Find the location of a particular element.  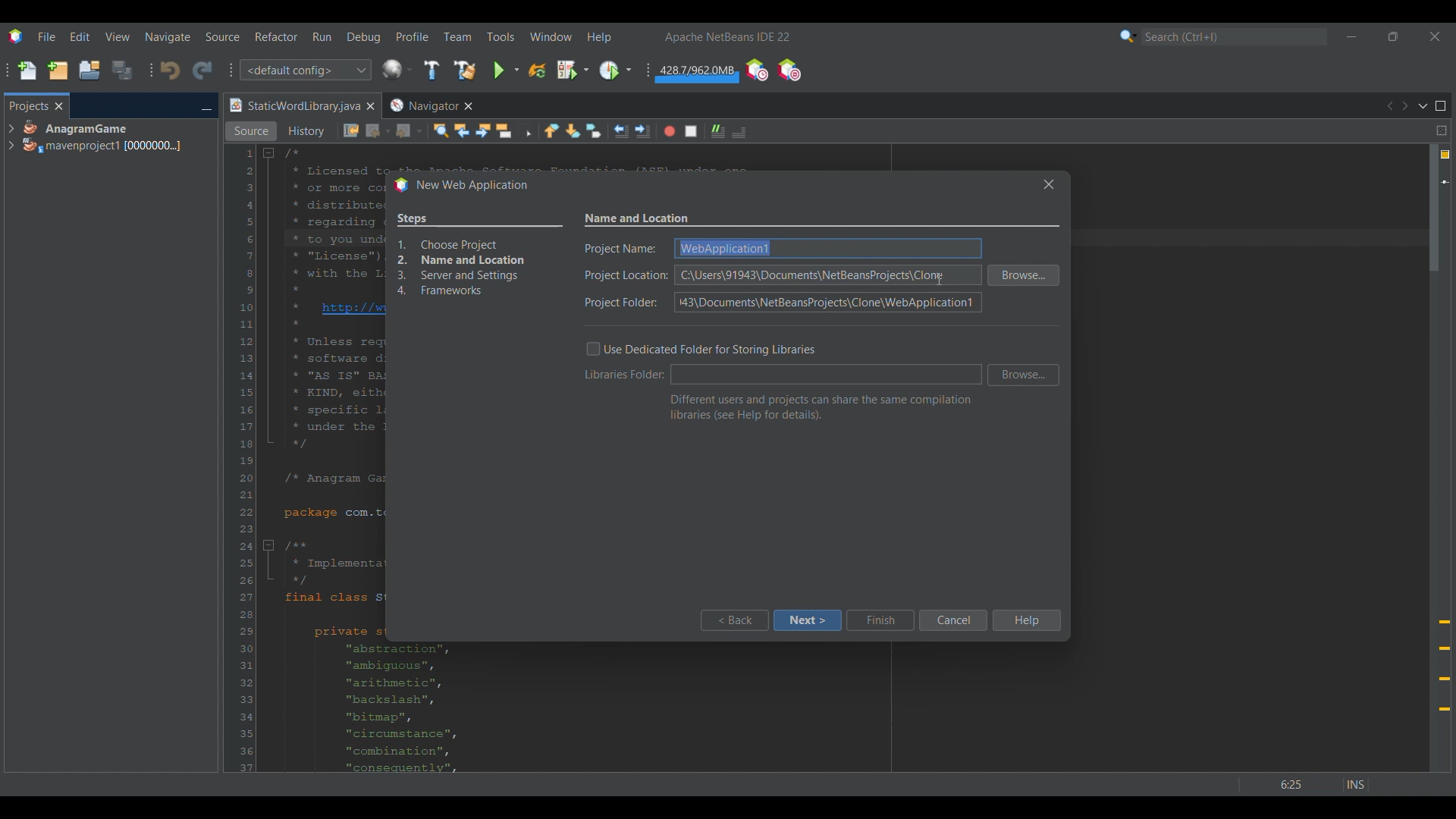

Window menu is located at coordinates (551, 36).